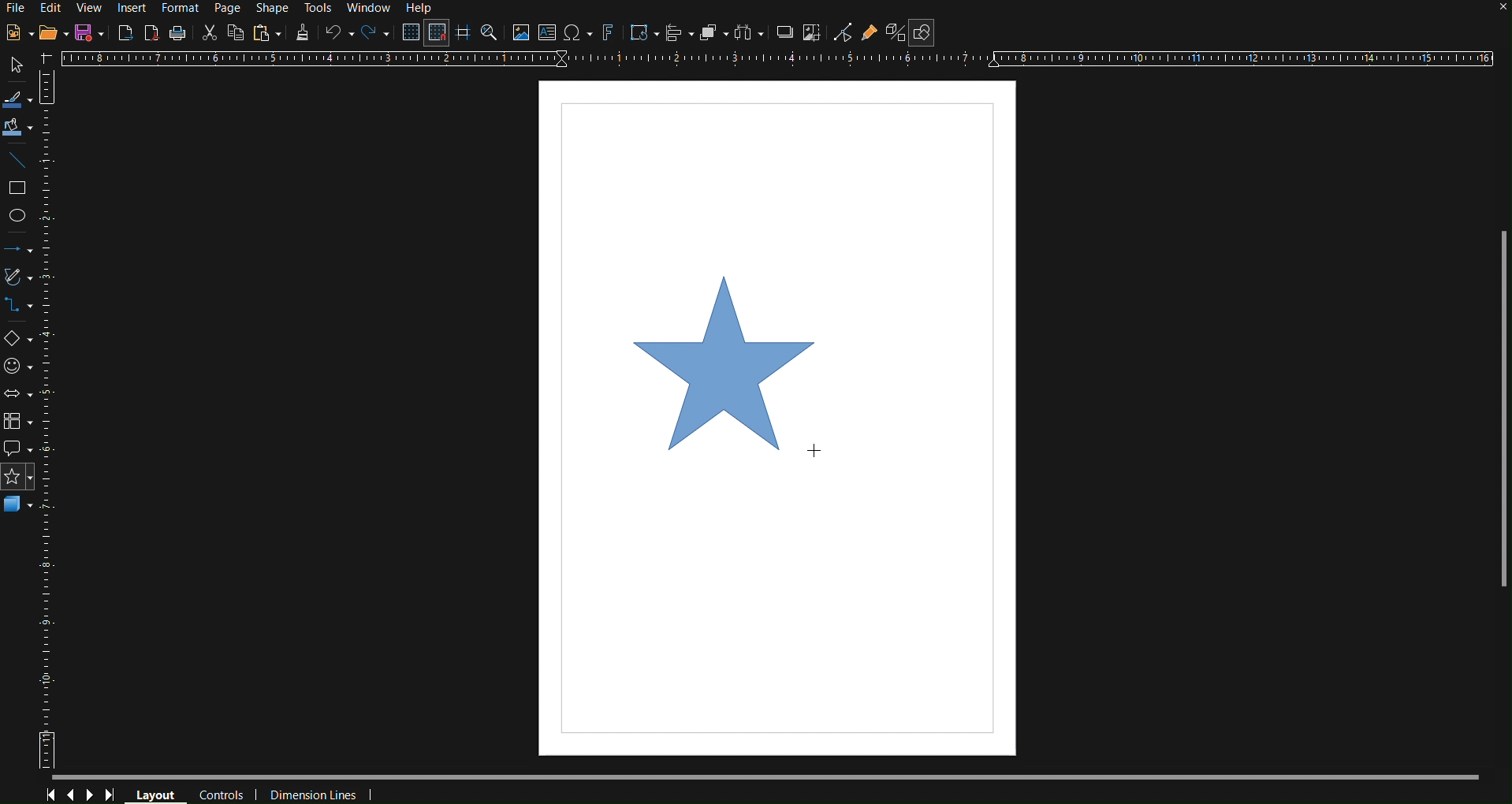 The image size is (1512, 804). What do you see at coordinates (437, 33) in the screenshot?
I see `Snap to Grid` at bounding box center [437, 33].